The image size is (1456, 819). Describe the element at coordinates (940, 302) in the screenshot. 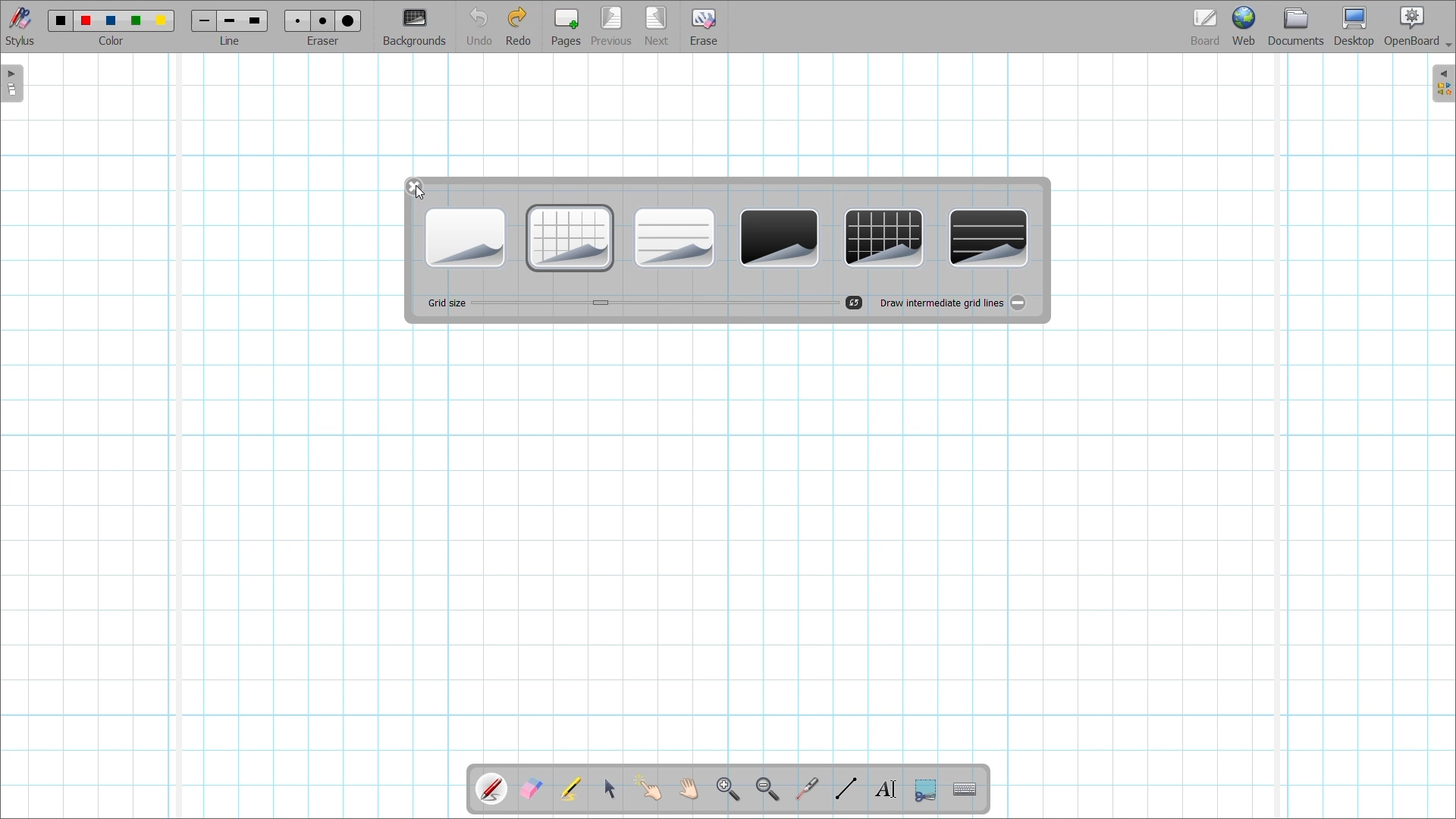

I see `draw grid lines` at that location.